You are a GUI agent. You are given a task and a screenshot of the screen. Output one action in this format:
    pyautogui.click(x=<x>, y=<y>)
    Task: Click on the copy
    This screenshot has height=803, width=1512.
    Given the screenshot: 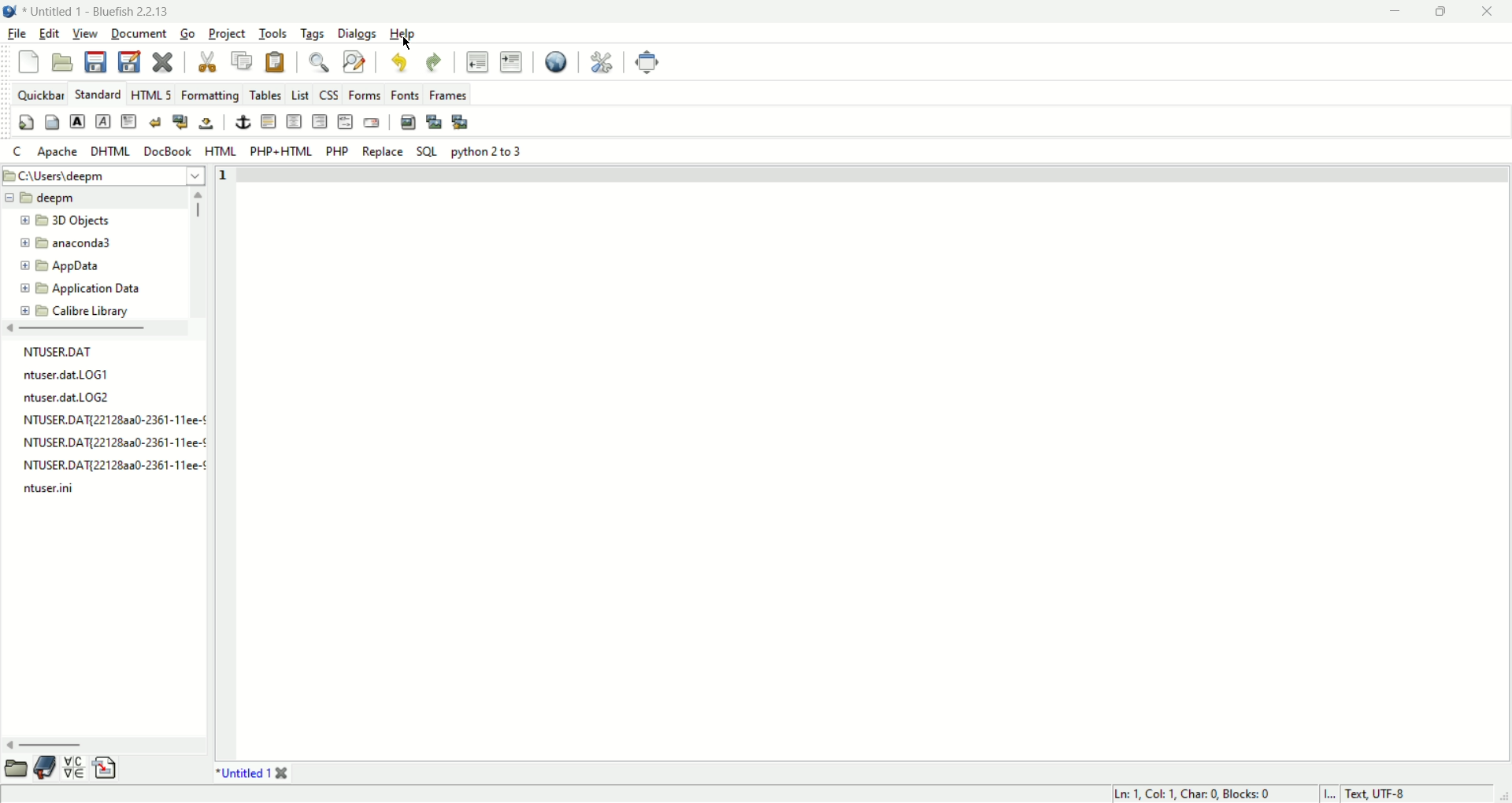 What is the action you would take?
    pyautogui.click(x=242, y=61)
    